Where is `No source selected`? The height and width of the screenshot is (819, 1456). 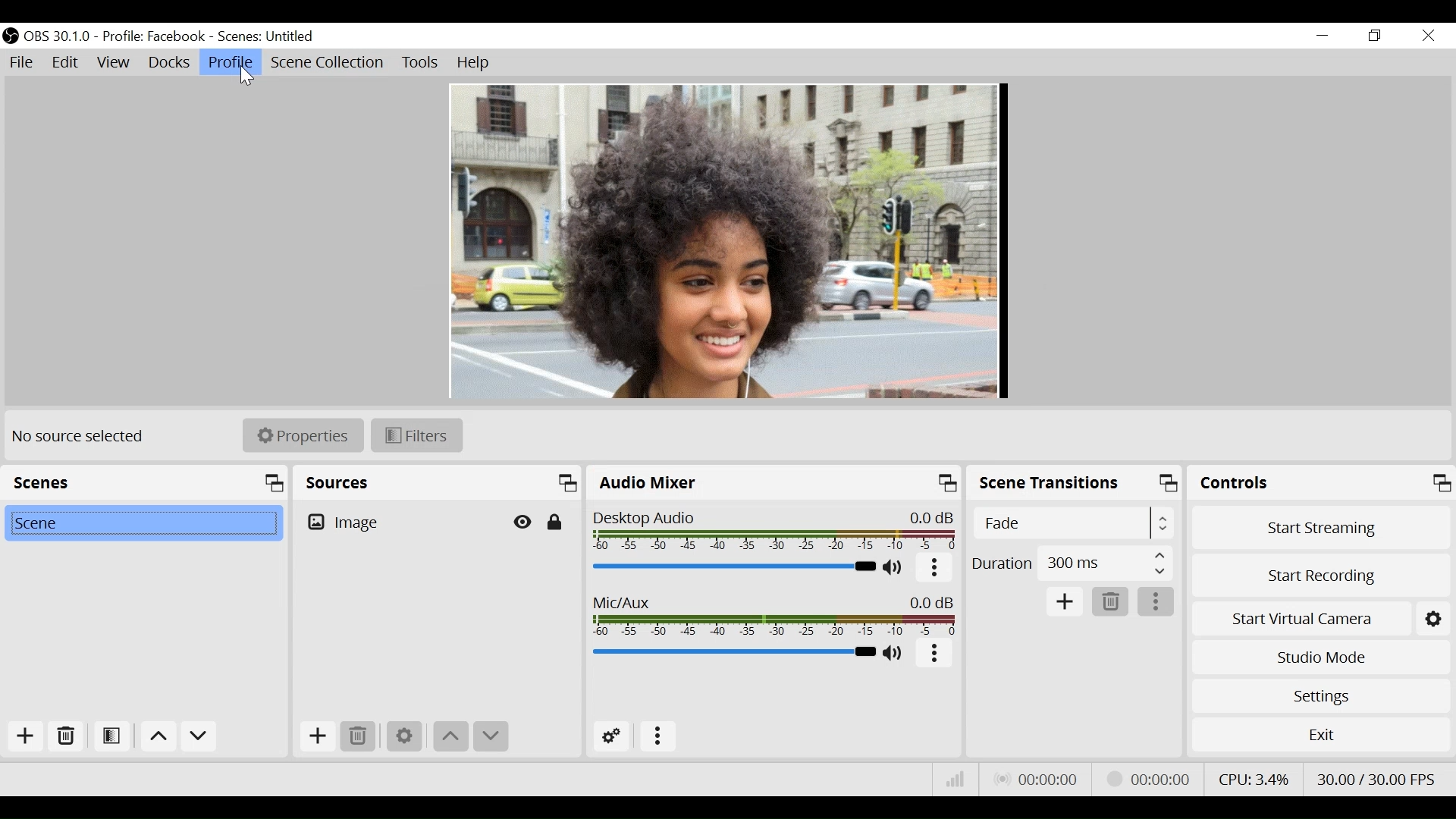
No source selected is located at coordinates (83, 437).